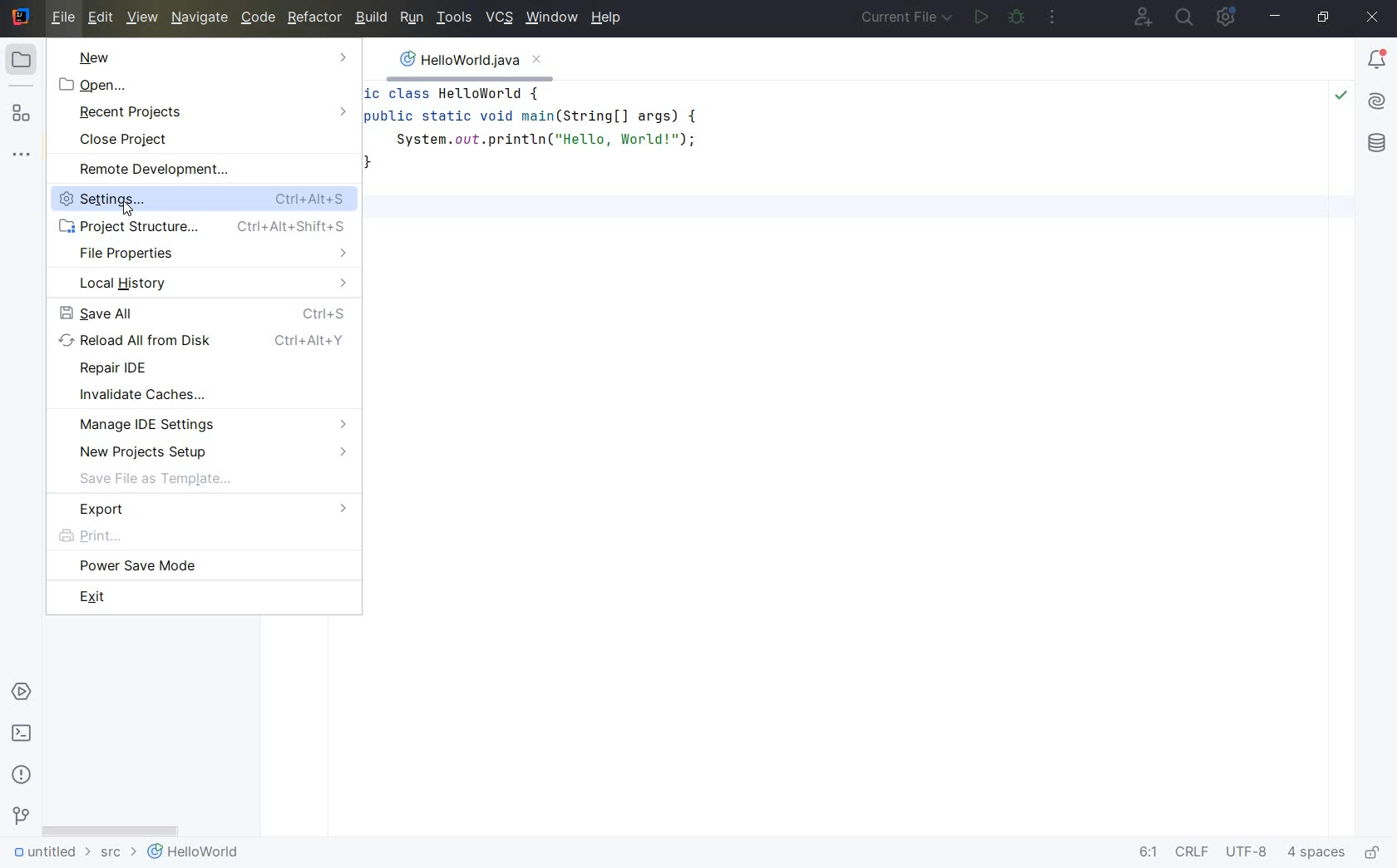  Describe the element at coordinates (193, 855) in the screenshot. I see `helloworld` at that location.